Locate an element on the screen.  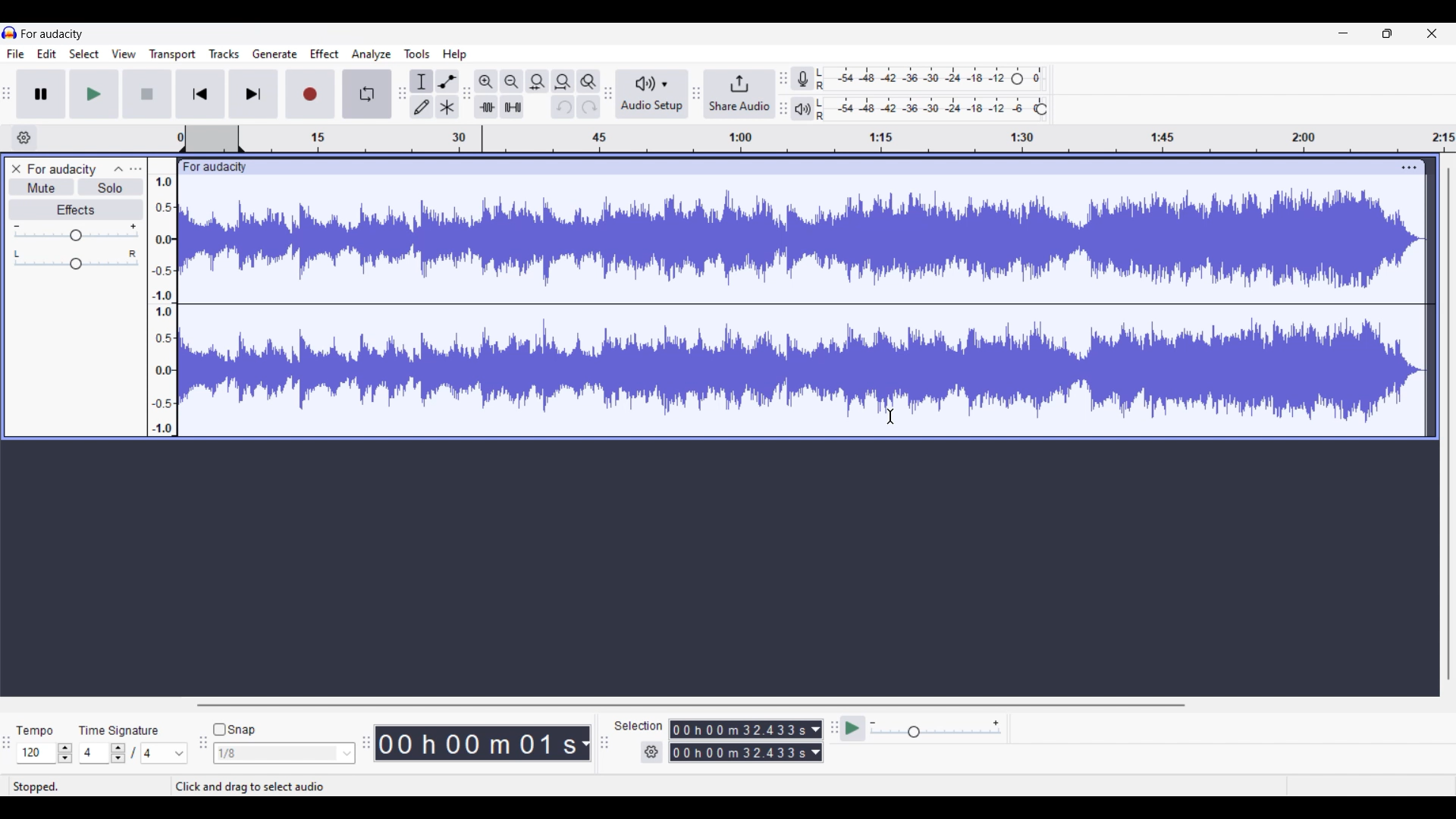
Cursor is located at coordinates (890, 416).